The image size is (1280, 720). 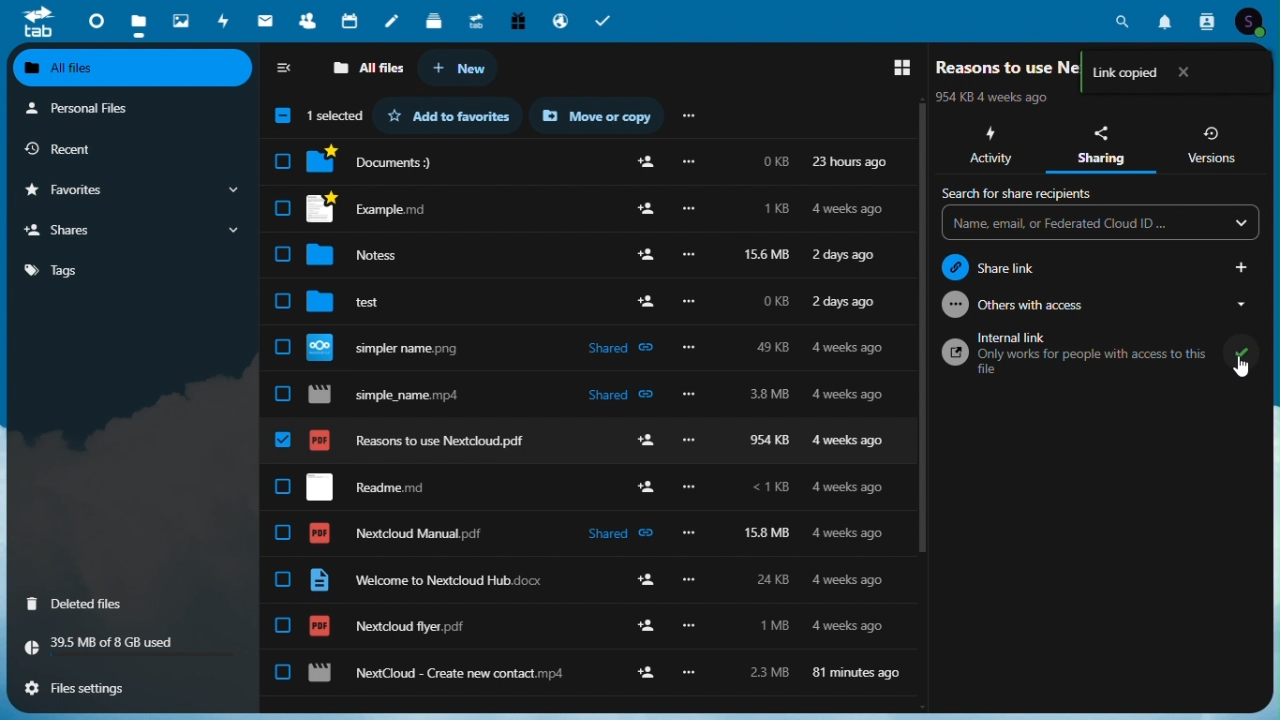 What do you see at coordinates (694, 210) in the screenshot?
I see `more options` at bounding box center [694, 210].